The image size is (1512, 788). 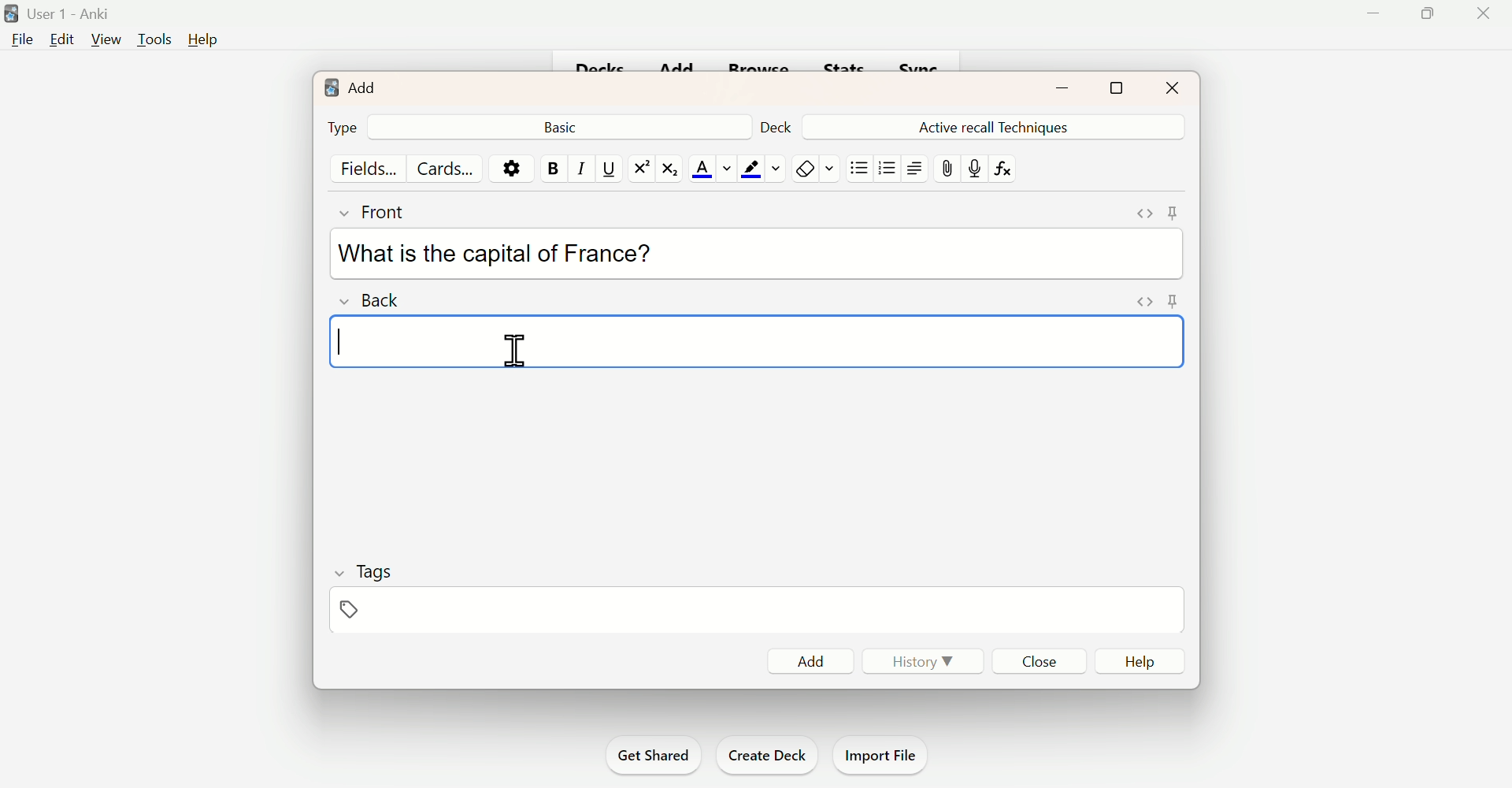 I want to click on Text Color, so click(x=708, y=167).